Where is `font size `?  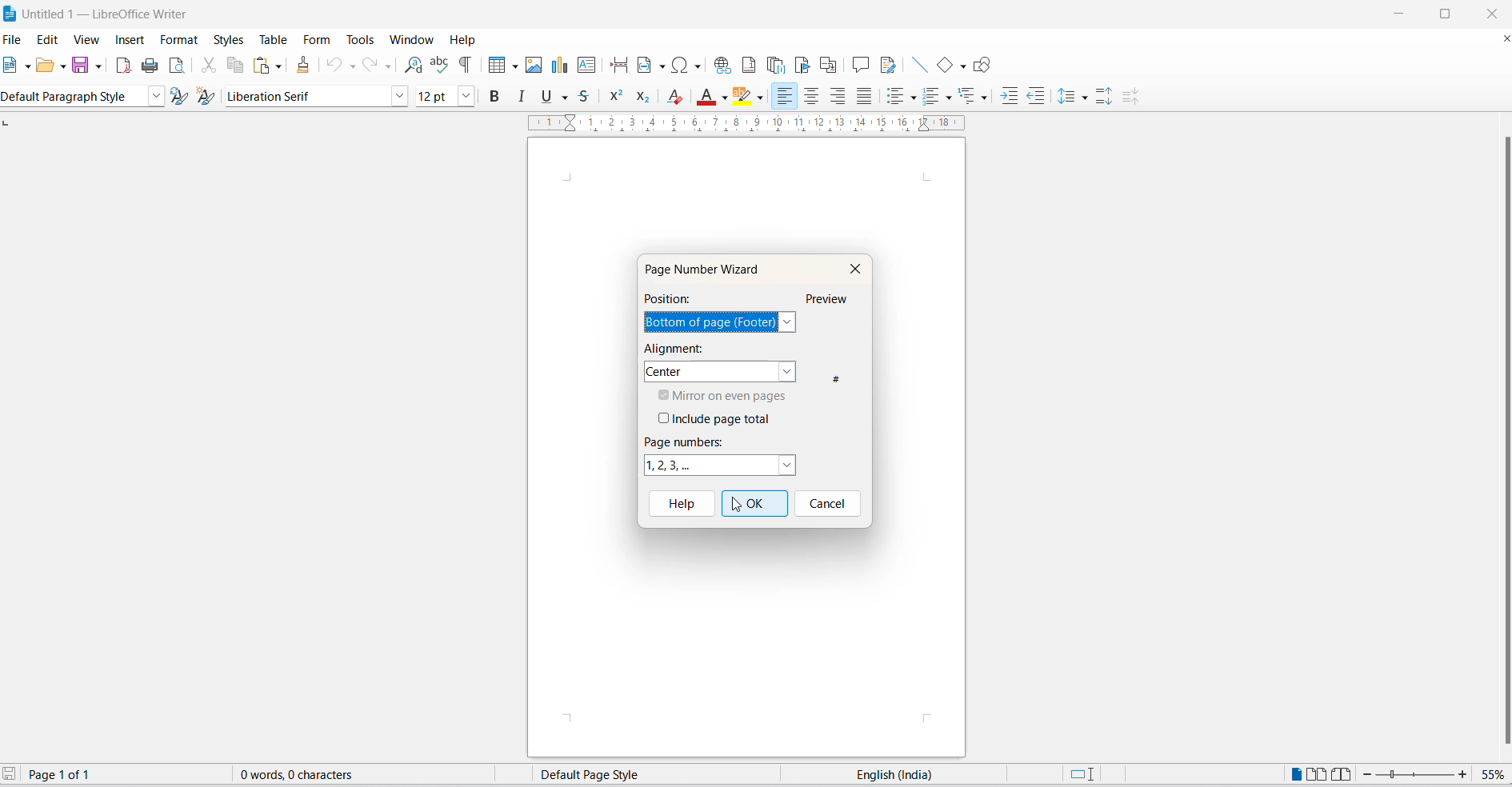
font size  is located at coordinates (434, 95).